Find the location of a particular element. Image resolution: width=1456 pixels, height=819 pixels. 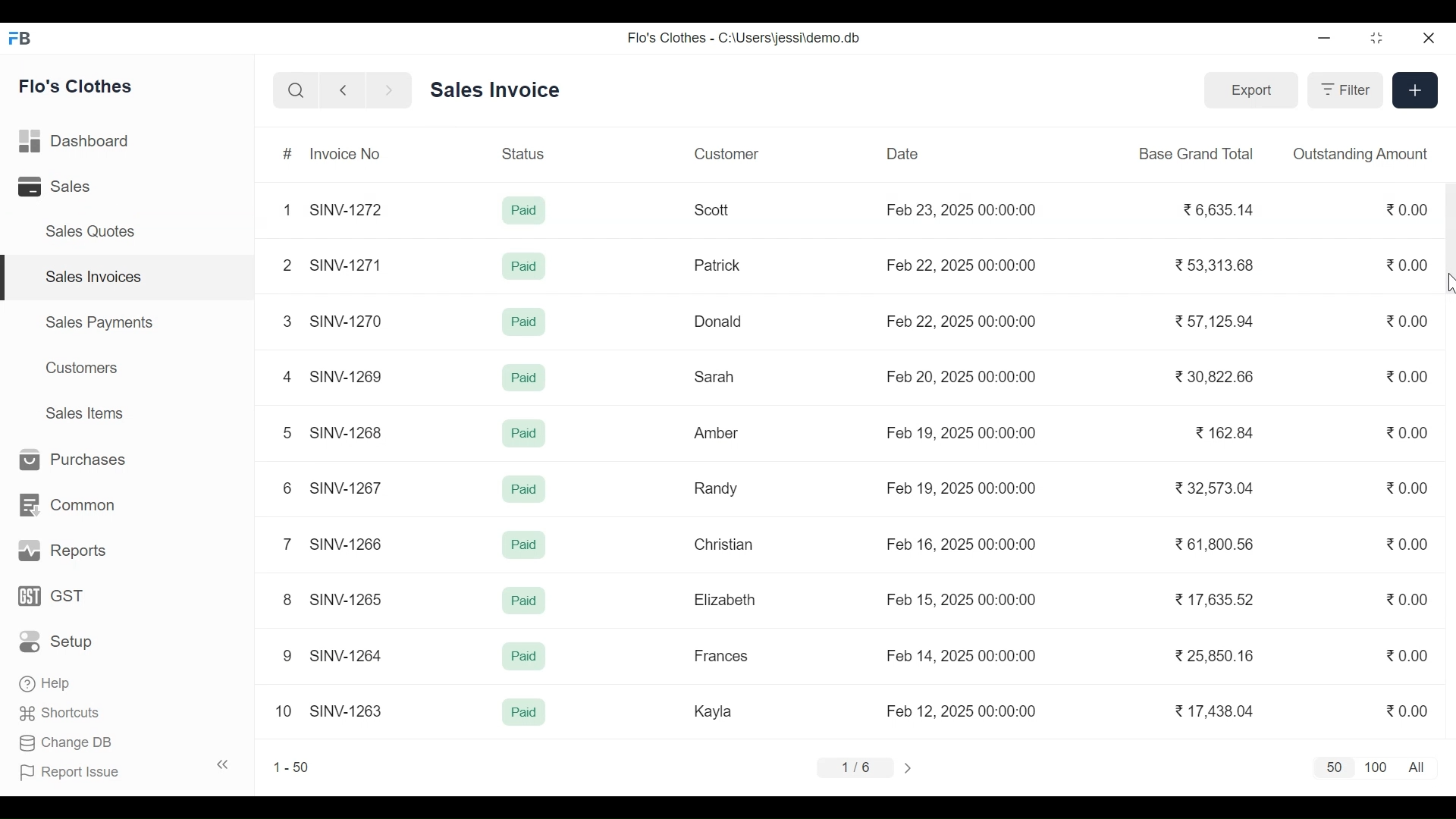

Minimize is located at coordinates (1324, 39).